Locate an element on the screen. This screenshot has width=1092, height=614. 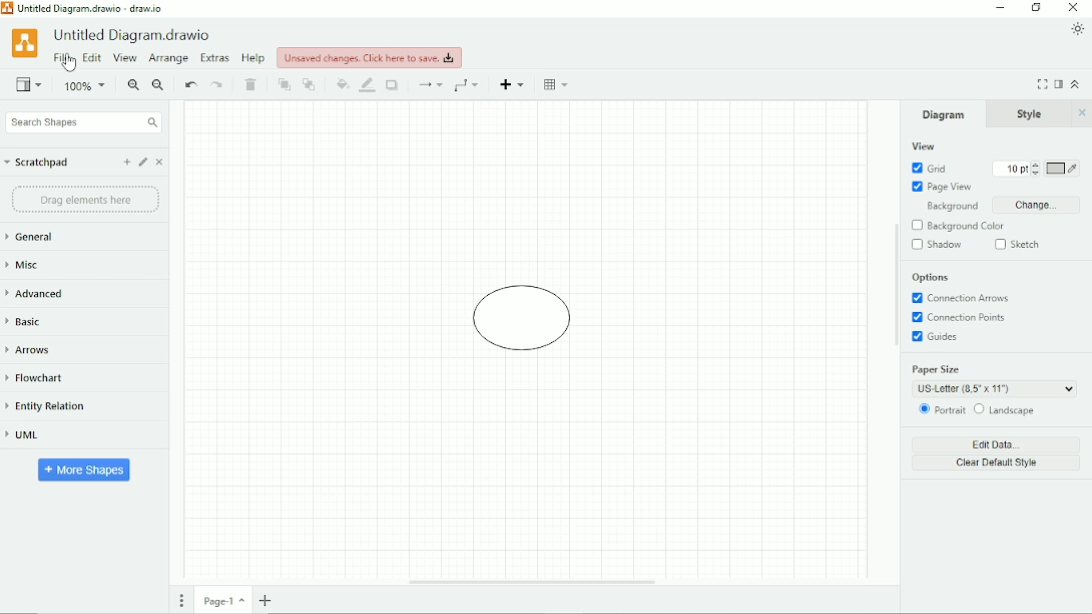
Drag element here is located at coordinates (85, 200).